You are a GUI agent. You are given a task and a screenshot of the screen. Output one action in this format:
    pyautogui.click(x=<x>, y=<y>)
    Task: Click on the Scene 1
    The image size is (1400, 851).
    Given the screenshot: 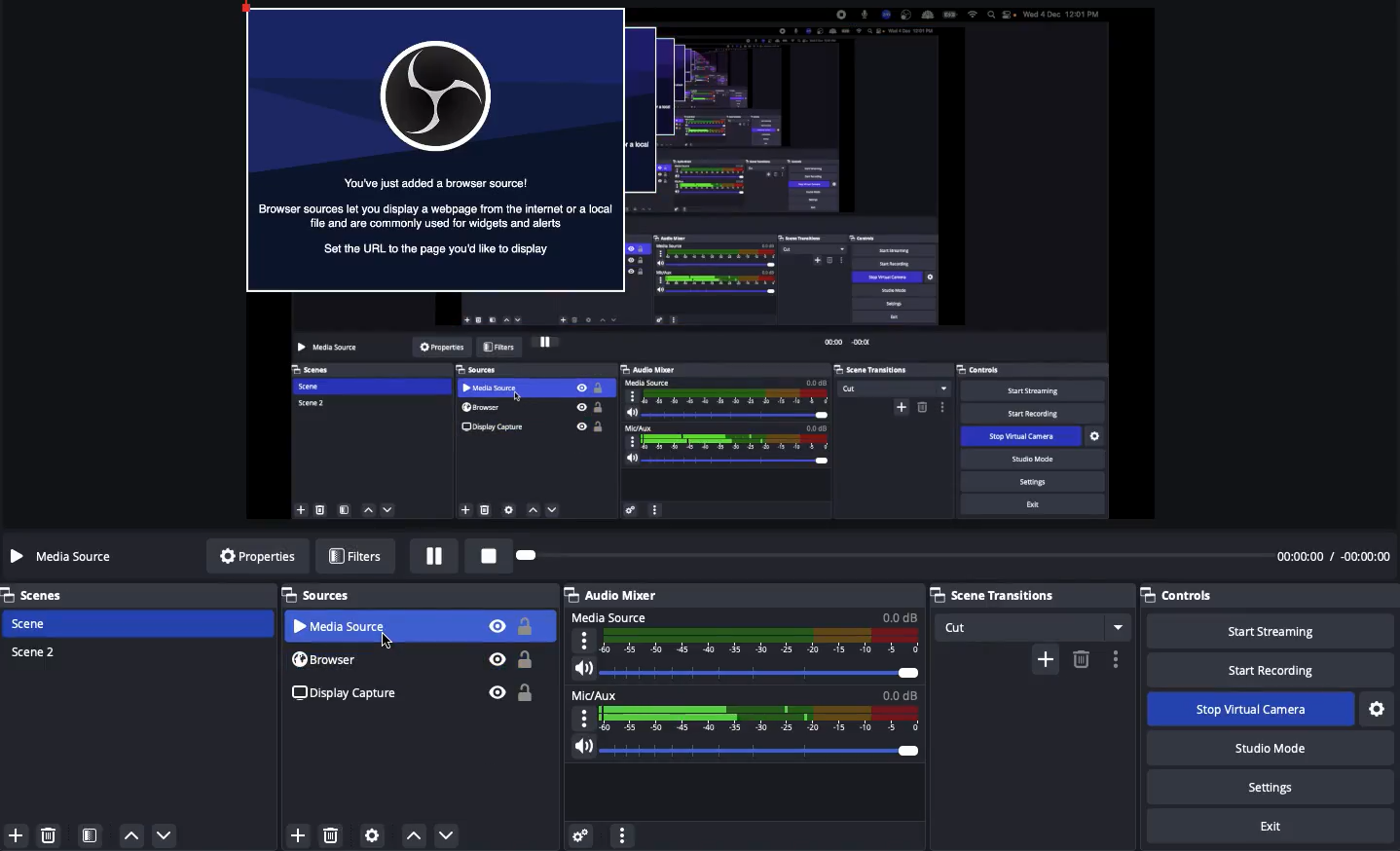 What is the action you would take?
    pyautogui.click(x=29, y=624)
    